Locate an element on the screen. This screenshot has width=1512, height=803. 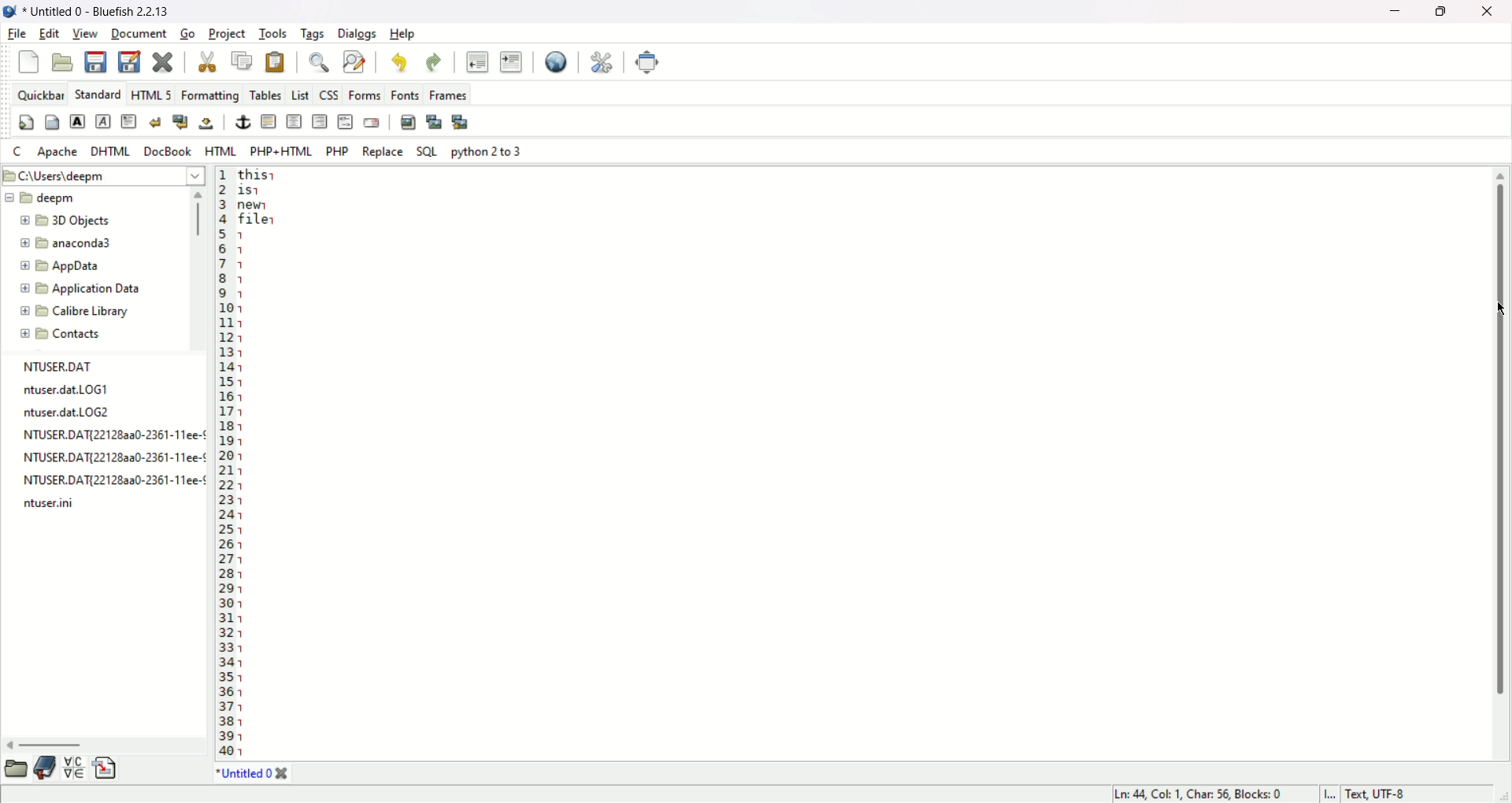
HTML comment is located at coordinates (344, 121).